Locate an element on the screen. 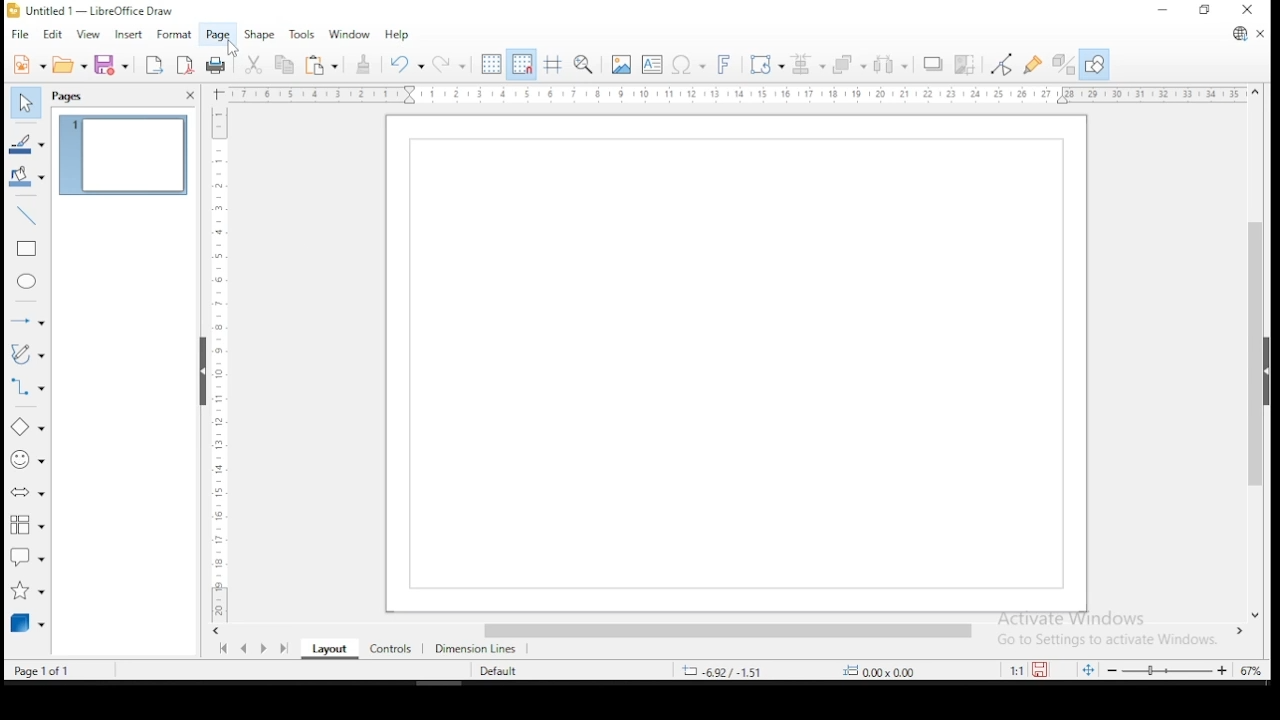 This screenshot has width=1280, height=720. clone formatting is located at coordinates (363, 65).